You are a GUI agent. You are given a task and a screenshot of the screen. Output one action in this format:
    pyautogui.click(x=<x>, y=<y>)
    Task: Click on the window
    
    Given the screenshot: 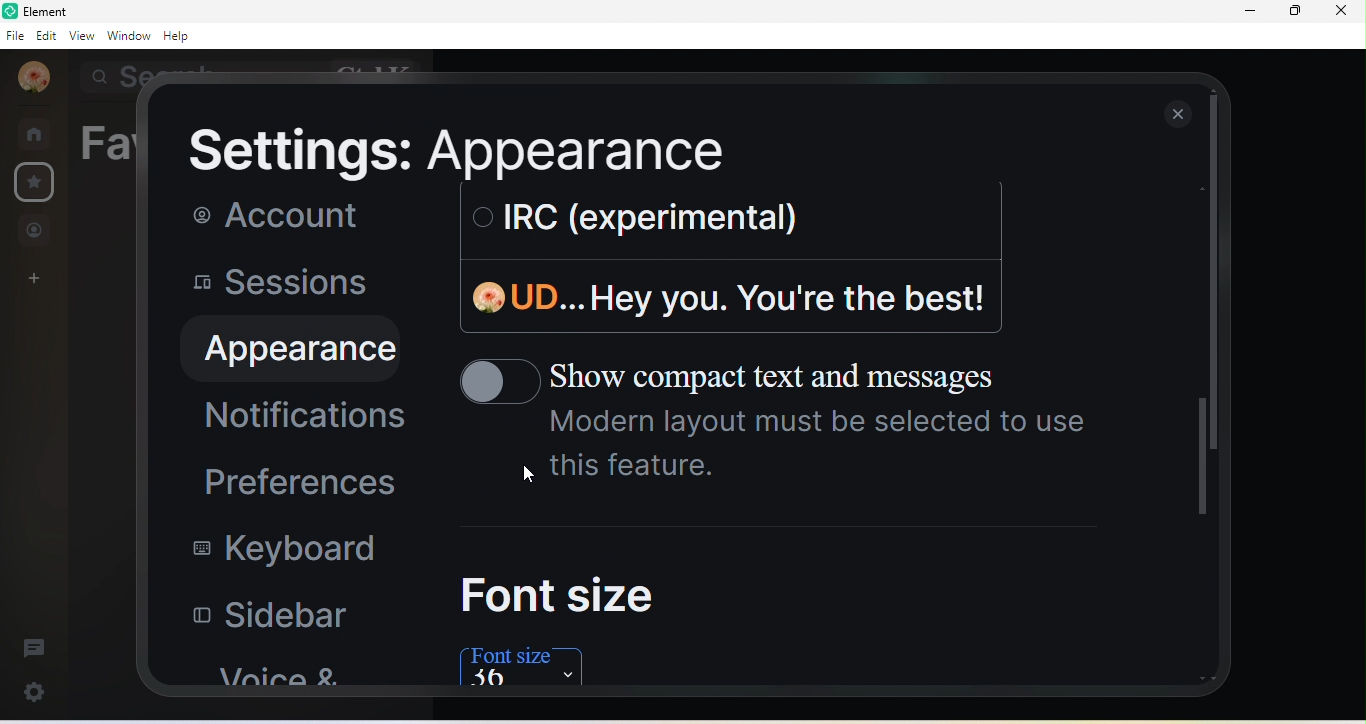 What is the action you would take?
    pyautogui.click(x=131, y=35)
    